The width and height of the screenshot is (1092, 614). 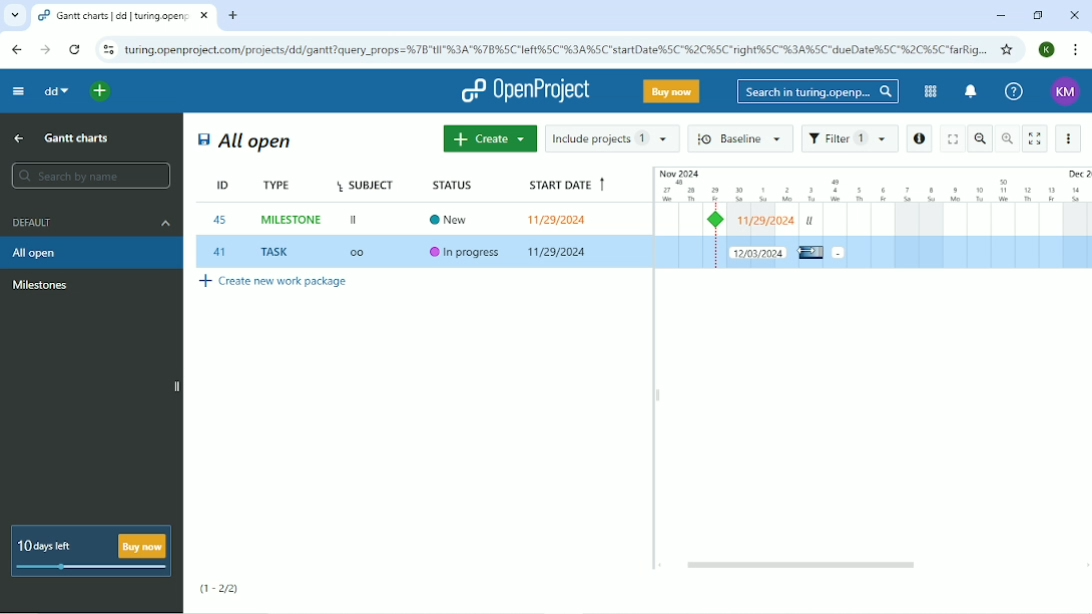 What do you see at coordinates (45, 50) in the screenshot?
I see `Forward` at bounding box center [45, 50].